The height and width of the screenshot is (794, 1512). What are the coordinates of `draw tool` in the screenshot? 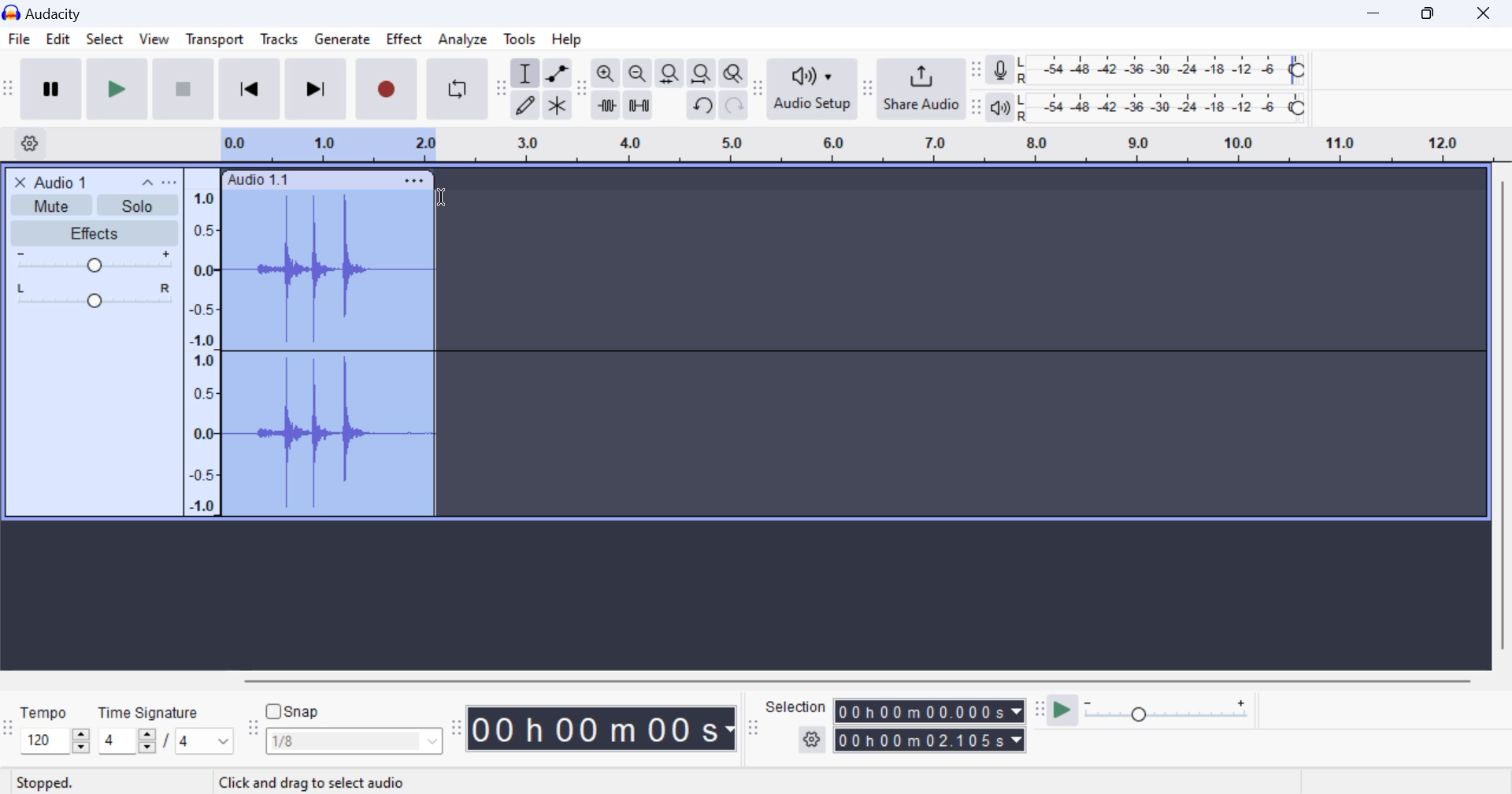 It's located at (525, 106).